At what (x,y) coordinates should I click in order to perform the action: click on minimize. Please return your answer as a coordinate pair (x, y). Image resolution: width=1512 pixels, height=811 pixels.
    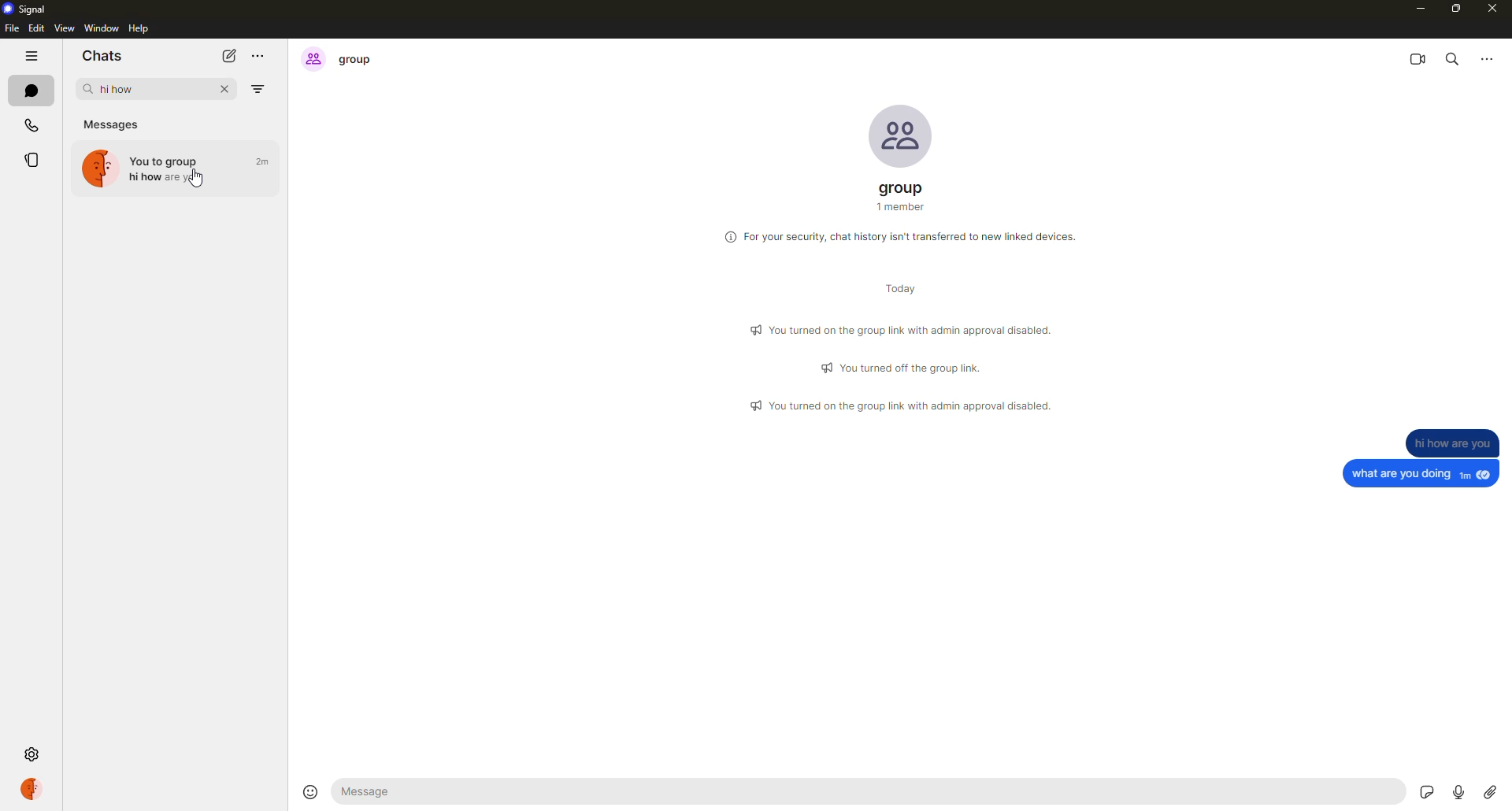
    Looking at the image, I should click on (1416, 8).